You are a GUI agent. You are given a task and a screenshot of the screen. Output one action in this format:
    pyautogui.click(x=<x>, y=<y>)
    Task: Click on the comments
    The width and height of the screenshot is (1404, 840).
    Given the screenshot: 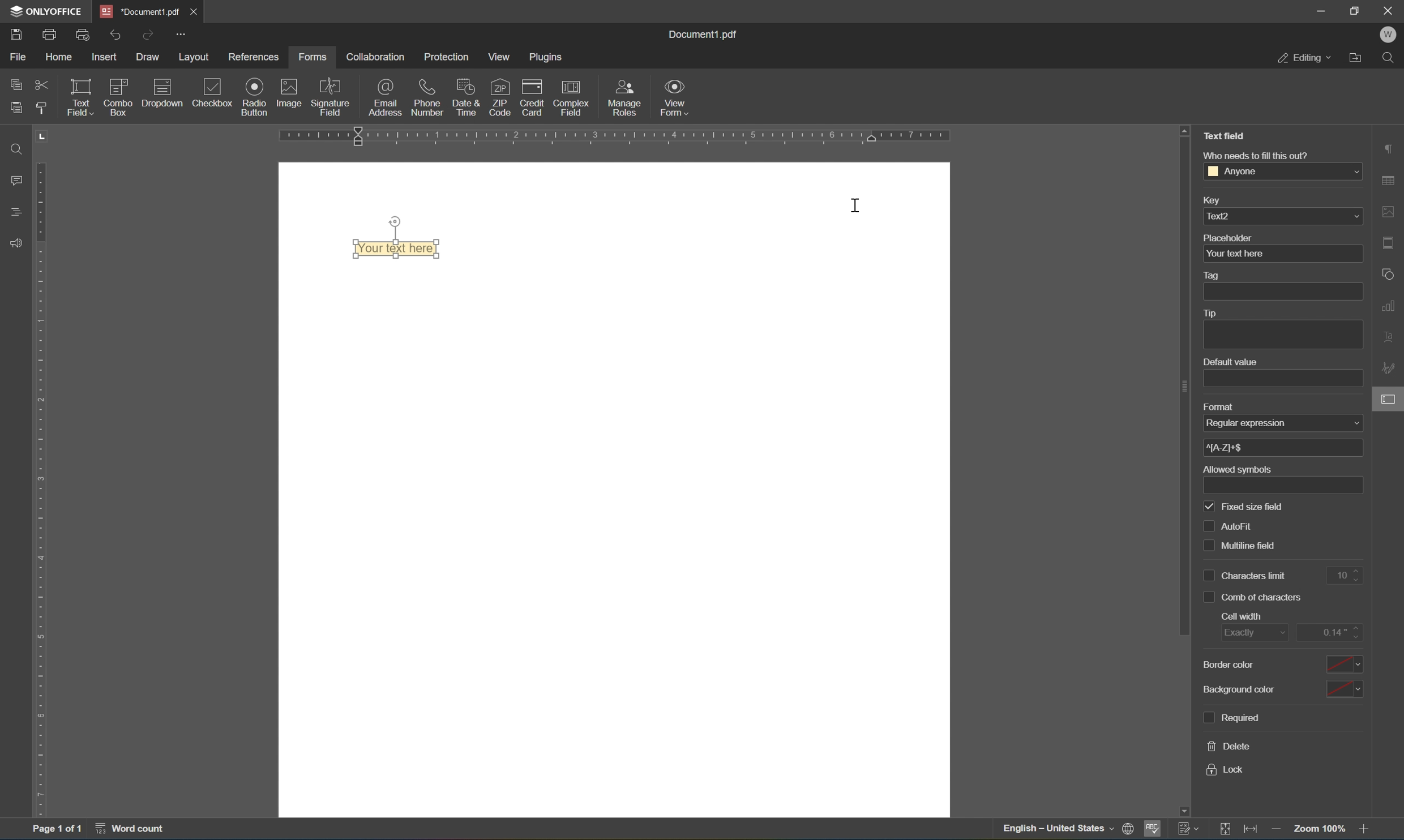 What is the action you would take?
    pyautogui.click(x=13, y=182)
    